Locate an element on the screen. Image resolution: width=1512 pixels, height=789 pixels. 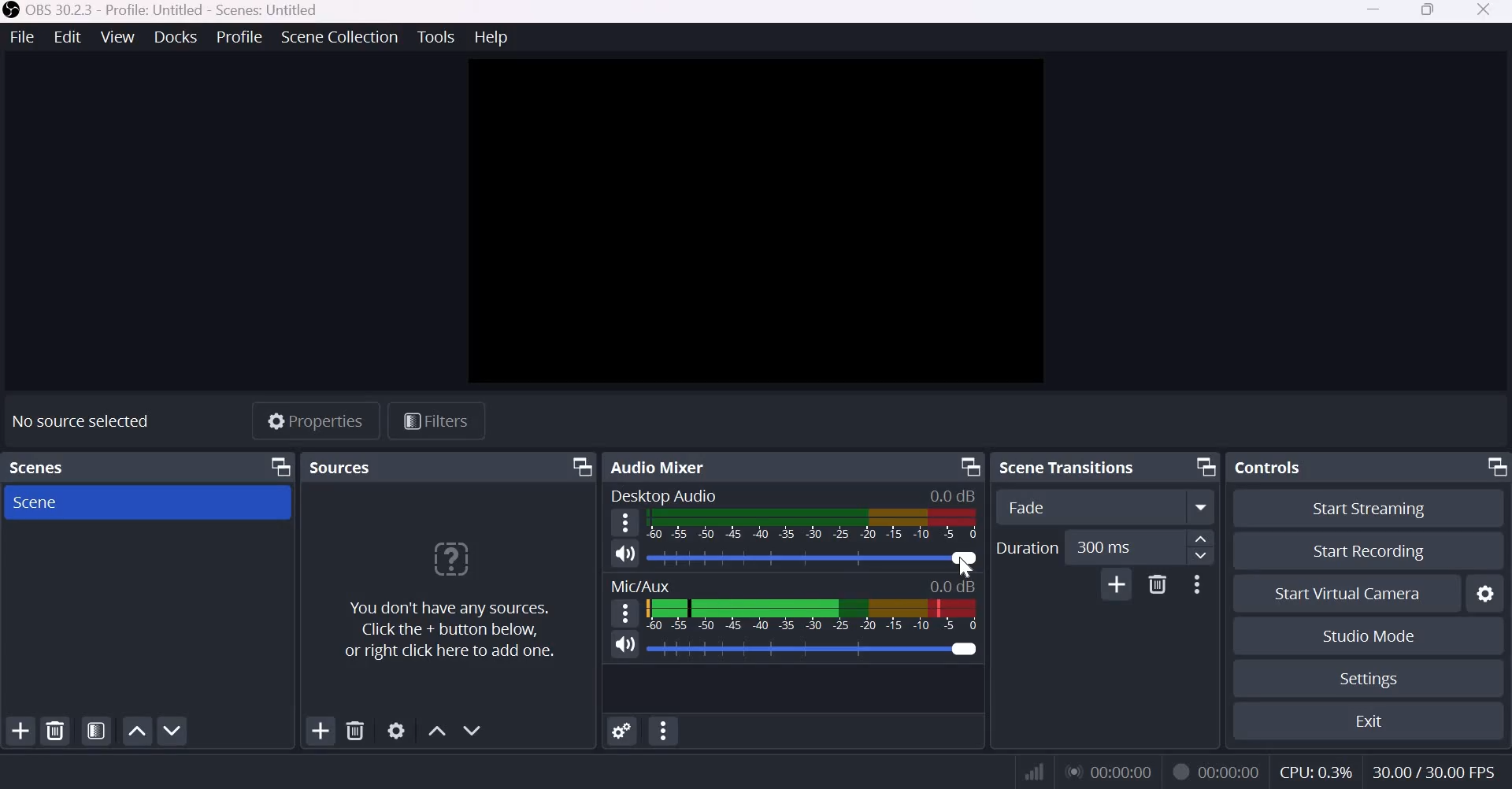
0.0db is located at coordinates (945, 587).